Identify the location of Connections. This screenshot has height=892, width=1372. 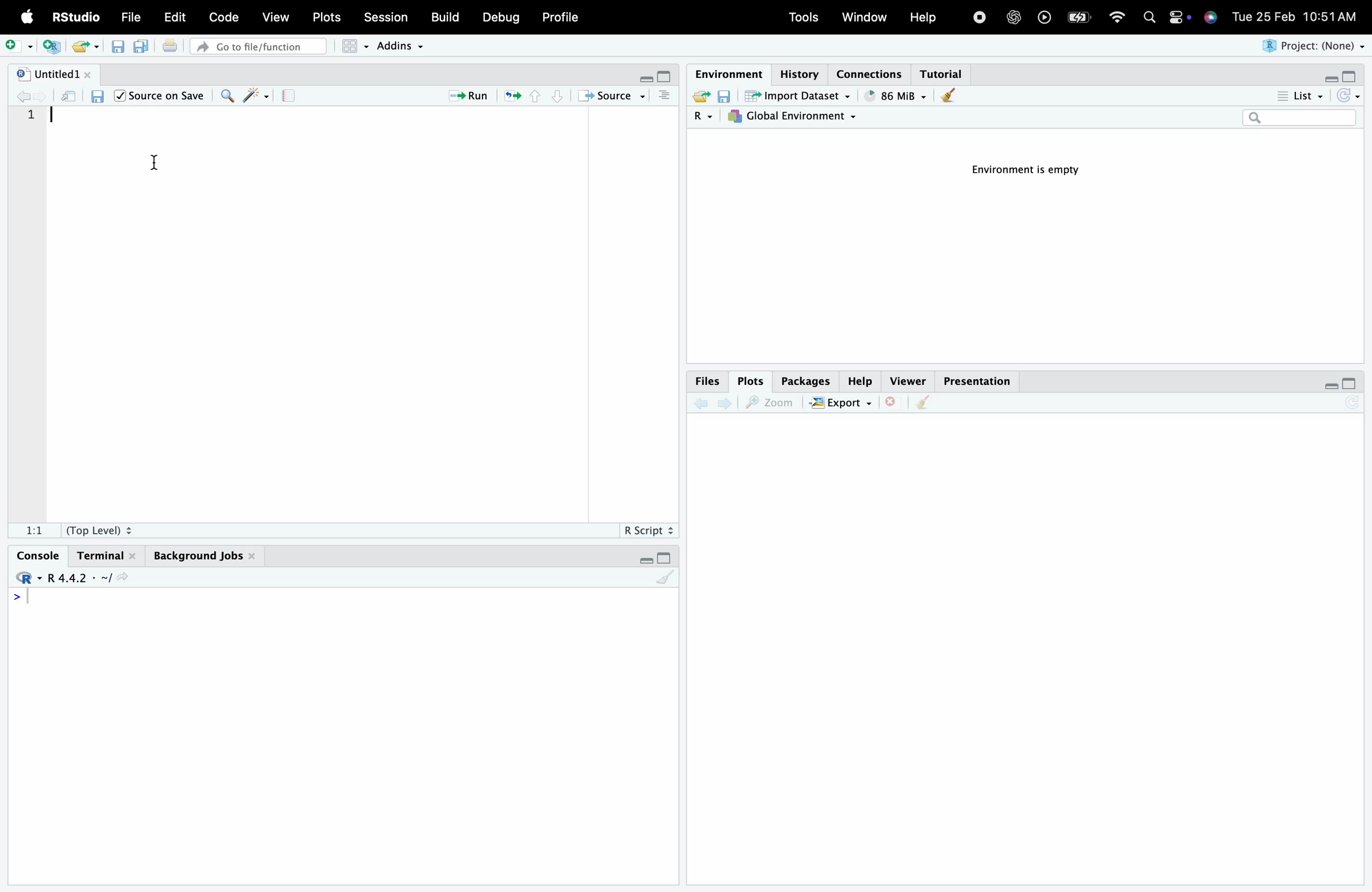
(872, 73).